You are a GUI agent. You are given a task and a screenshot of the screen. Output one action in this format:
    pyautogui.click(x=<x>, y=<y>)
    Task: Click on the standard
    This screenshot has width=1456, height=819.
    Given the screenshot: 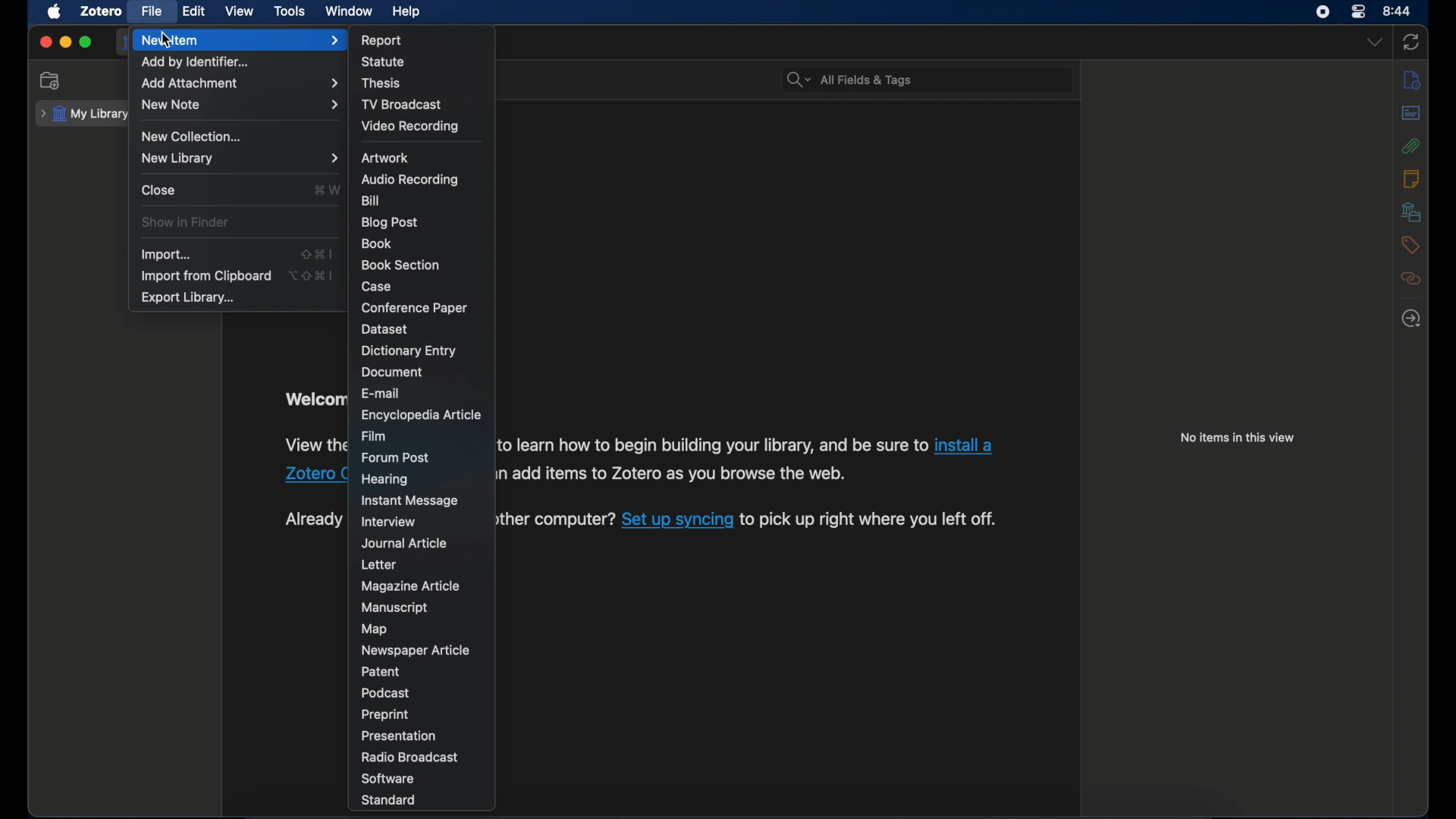 What is the action you would take?
    pyautogui.click(x=391, y=800)
    